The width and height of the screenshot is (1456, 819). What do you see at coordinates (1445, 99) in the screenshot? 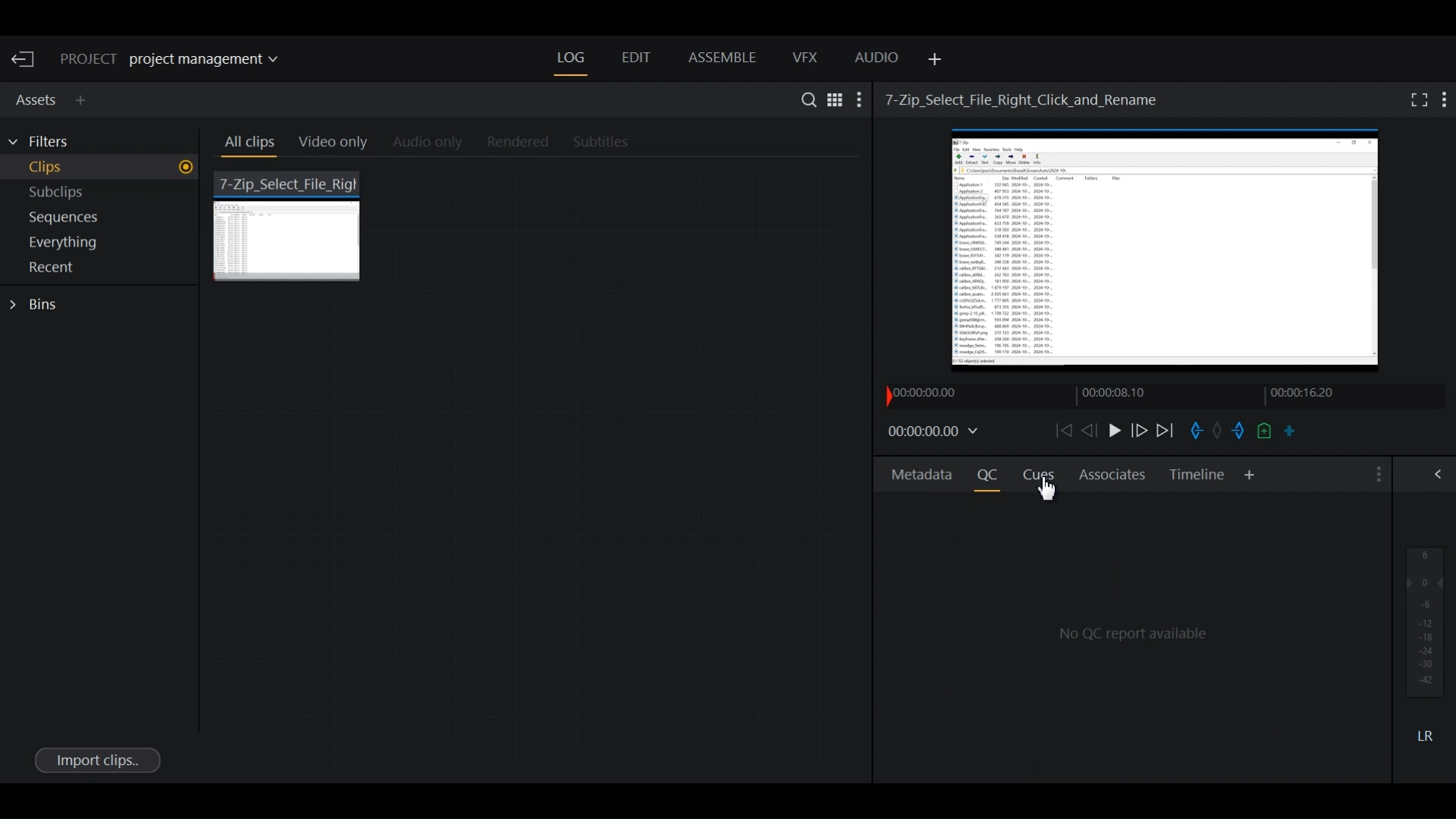
I see `Show settings menu` at bounding box center [1445, 99].